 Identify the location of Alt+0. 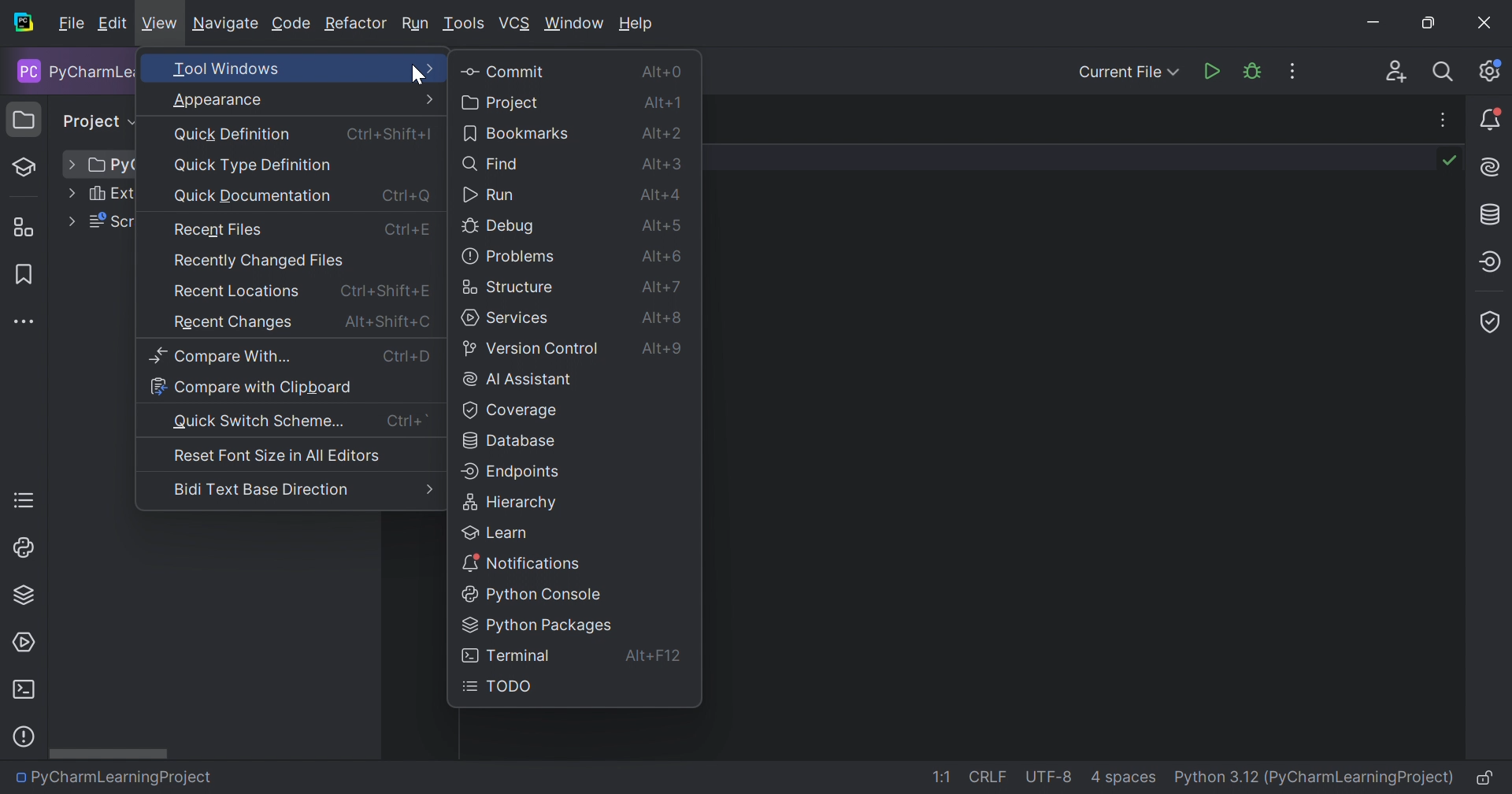
(661, 70).